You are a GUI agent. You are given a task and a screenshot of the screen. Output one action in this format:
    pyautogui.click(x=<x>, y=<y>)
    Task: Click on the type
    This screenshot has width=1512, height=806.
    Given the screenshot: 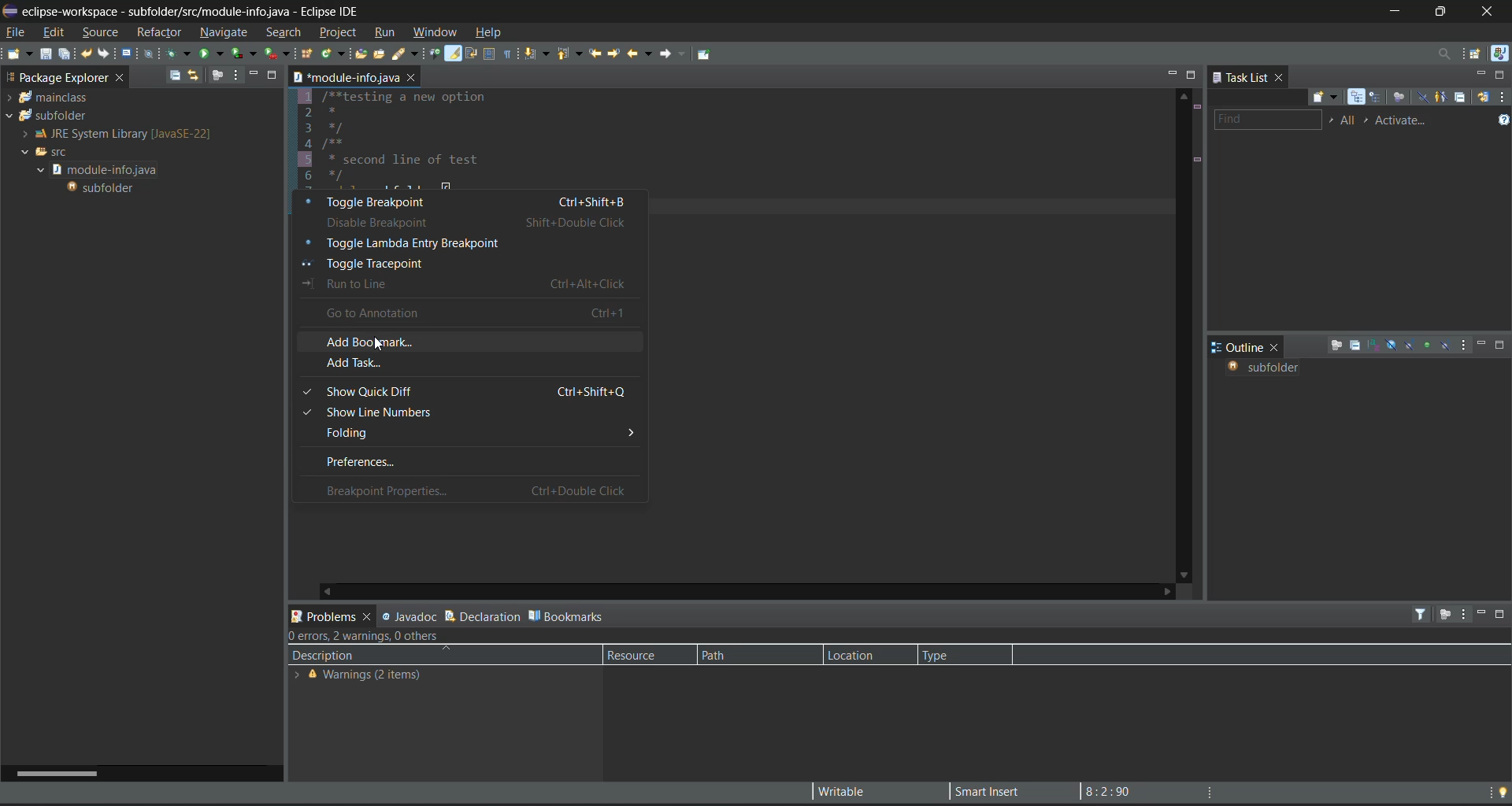 What is the action you would take?
    pyautogui.click(x=950, y=654)
    